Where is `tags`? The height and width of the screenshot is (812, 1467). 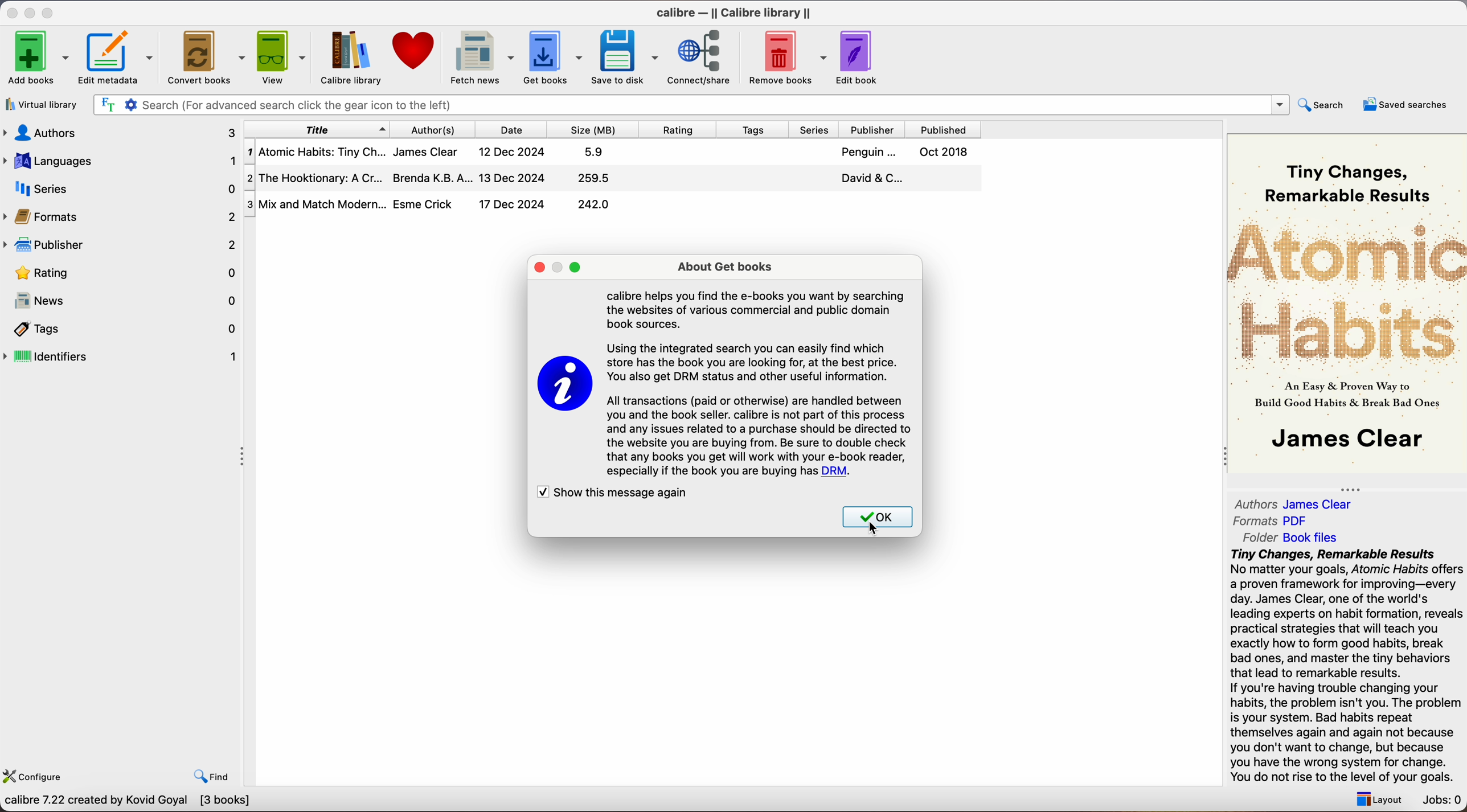 tags is located at coordinates (123, 330).